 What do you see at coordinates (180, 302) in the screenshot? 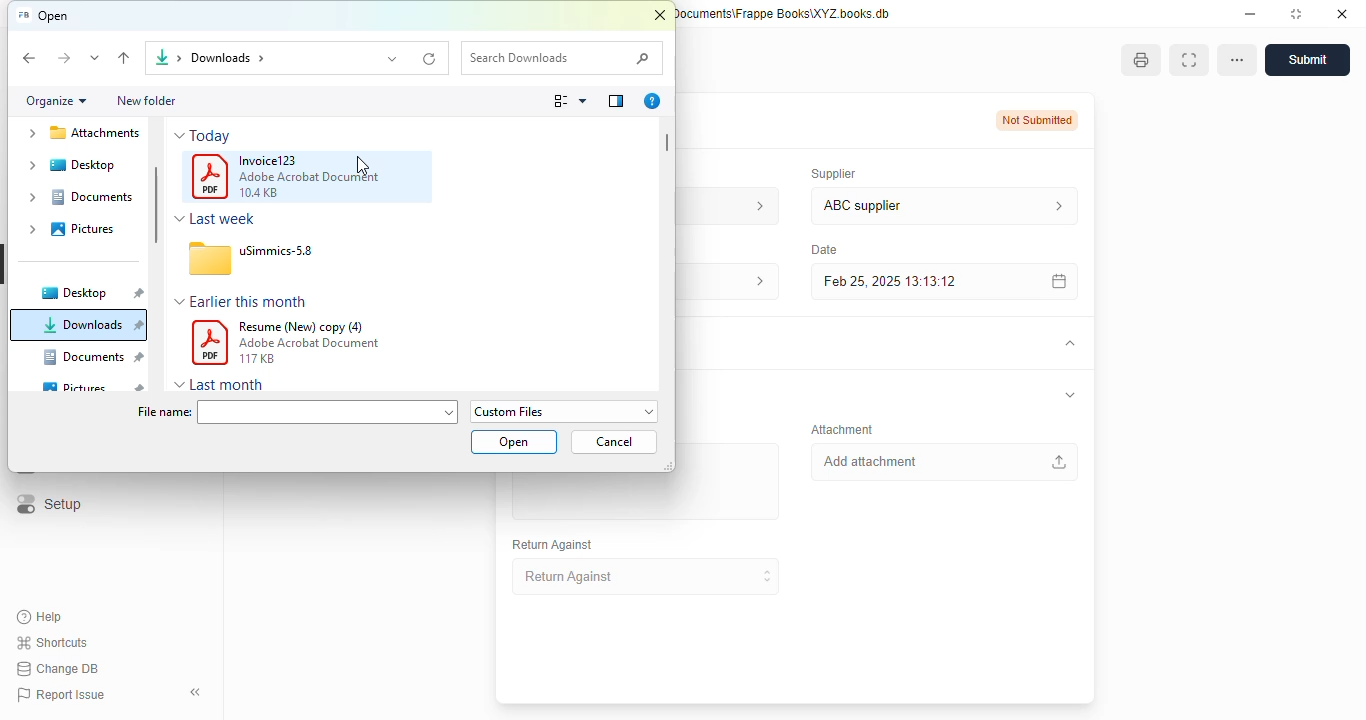
I see `dropdown` at bounding box center [180, 302].